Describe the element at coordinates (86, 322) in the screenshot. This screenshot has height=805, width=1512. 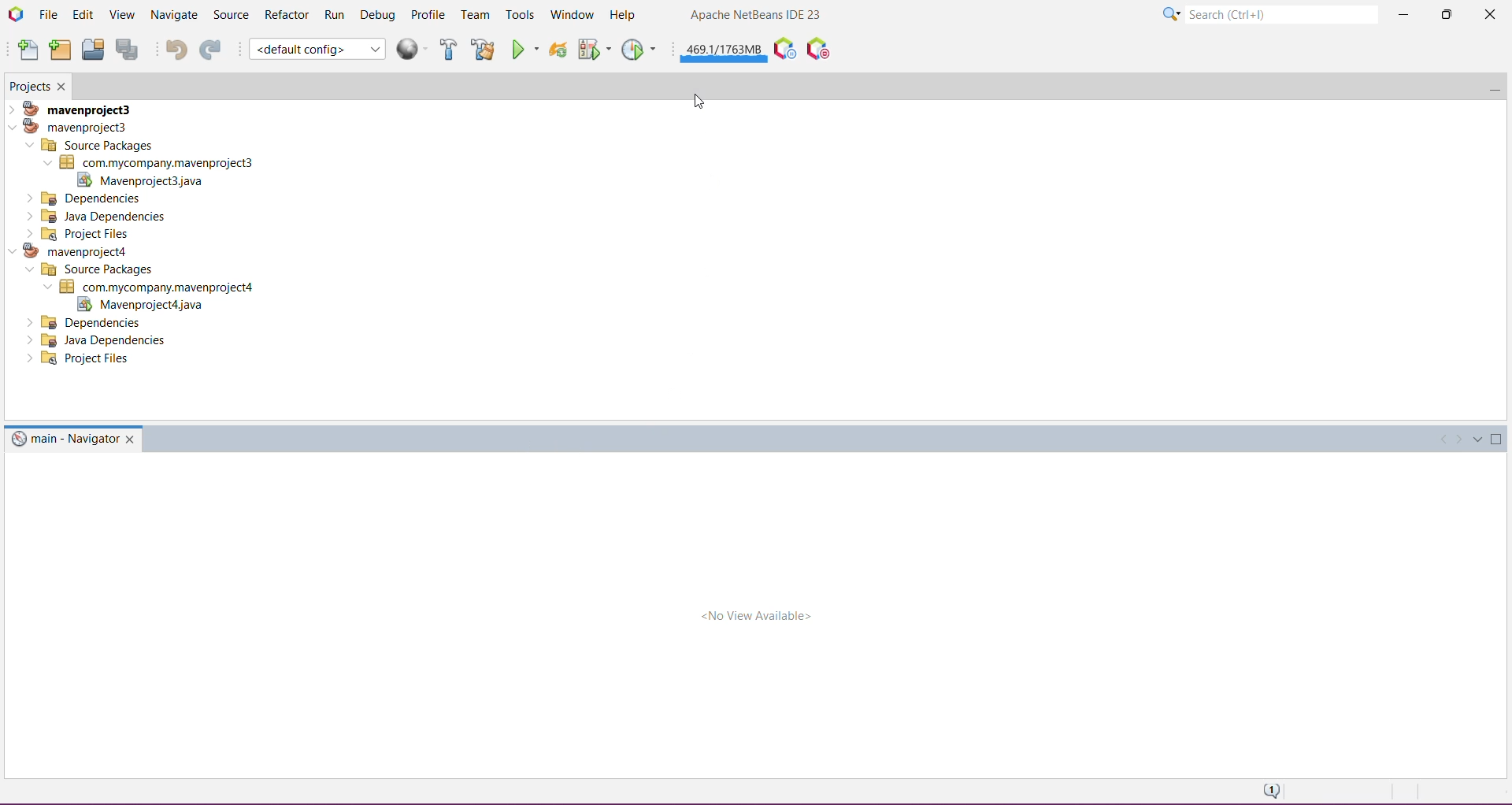
I see `` at that location.